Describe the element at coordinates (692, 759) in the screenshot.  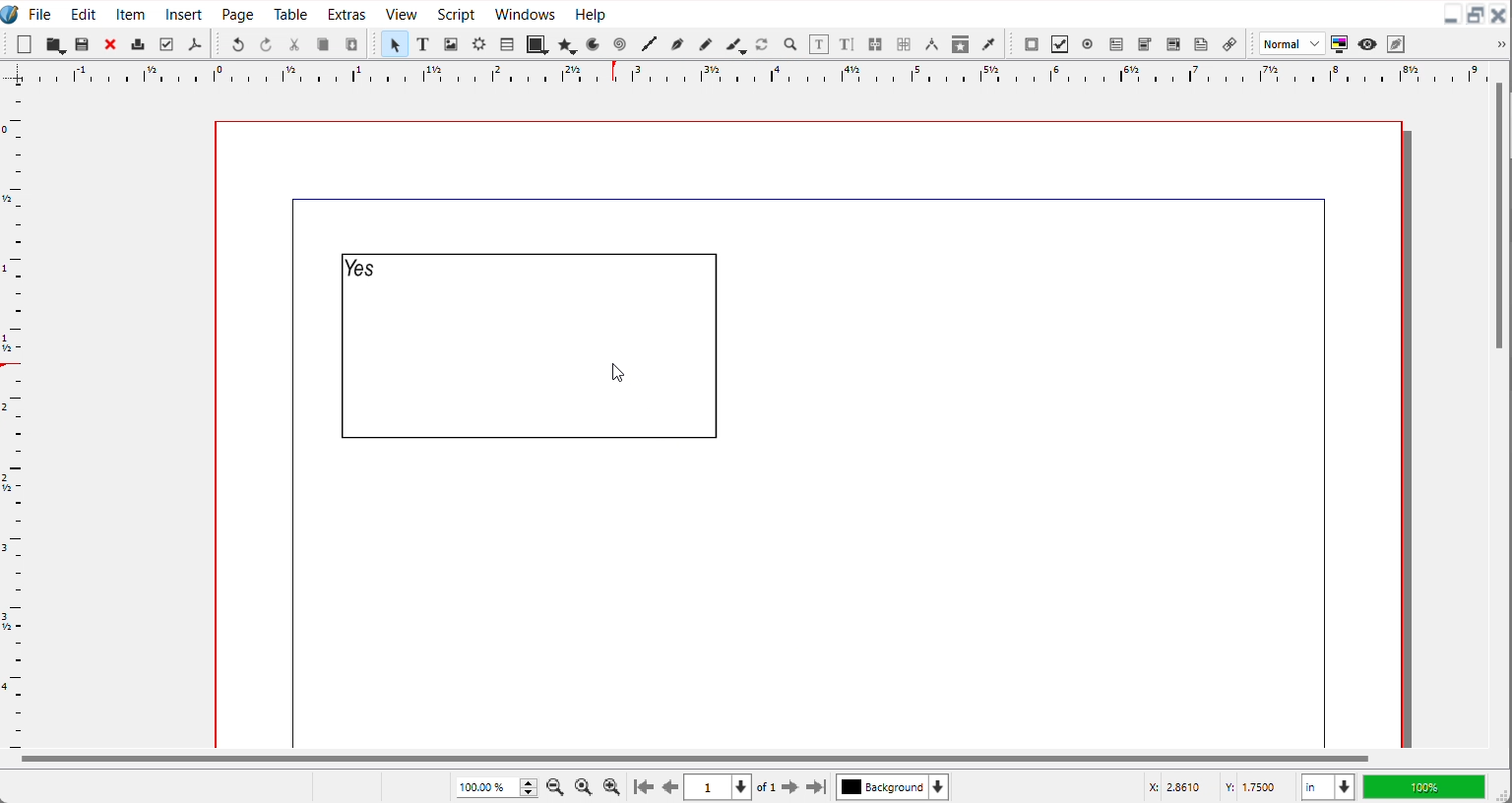
I see `Horizontal Scroll bar` at that location.